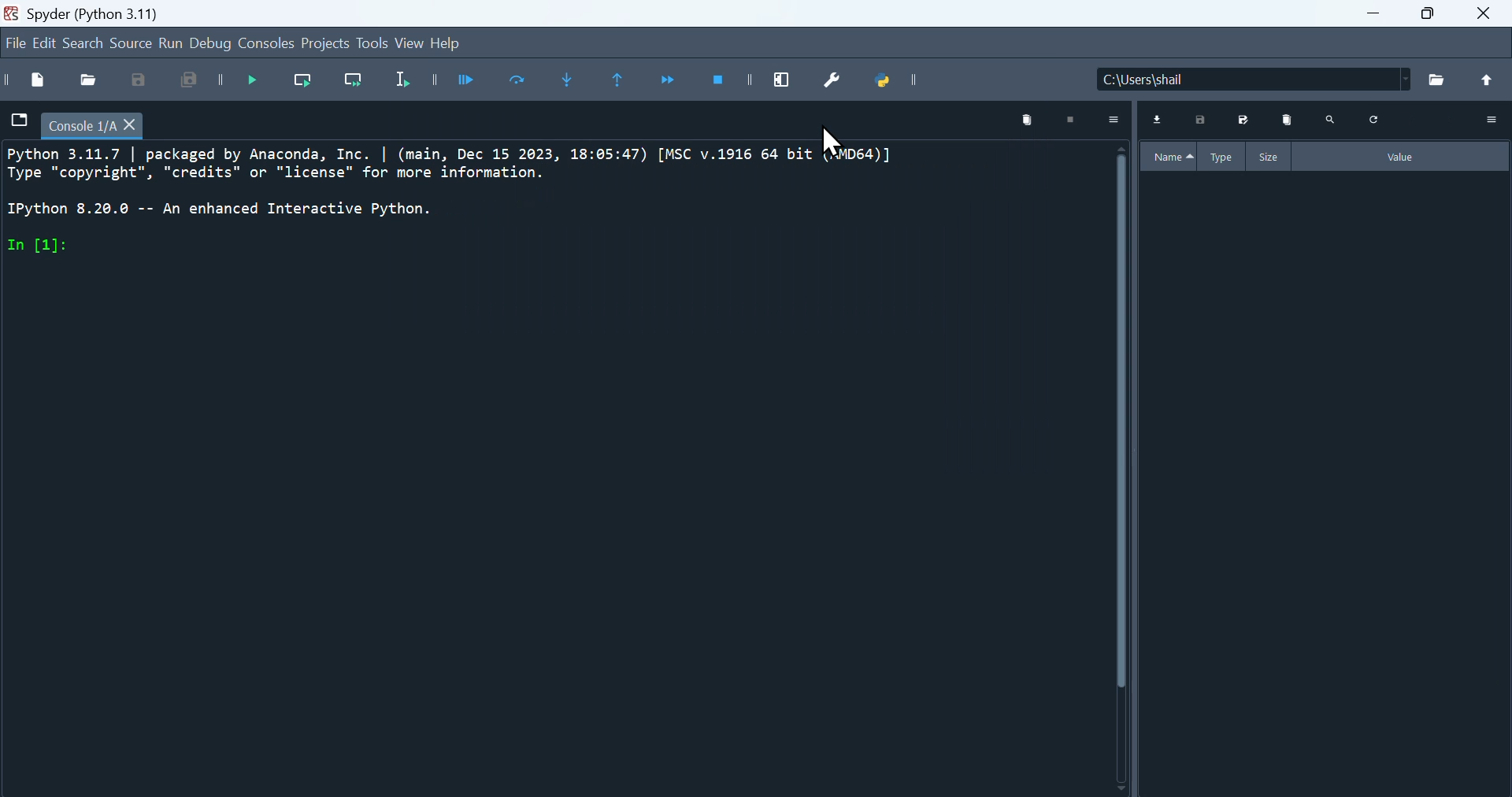 Image resolution: width=1512 pixels, height=797 pixels. I want to click on Search, so click(87, 43).